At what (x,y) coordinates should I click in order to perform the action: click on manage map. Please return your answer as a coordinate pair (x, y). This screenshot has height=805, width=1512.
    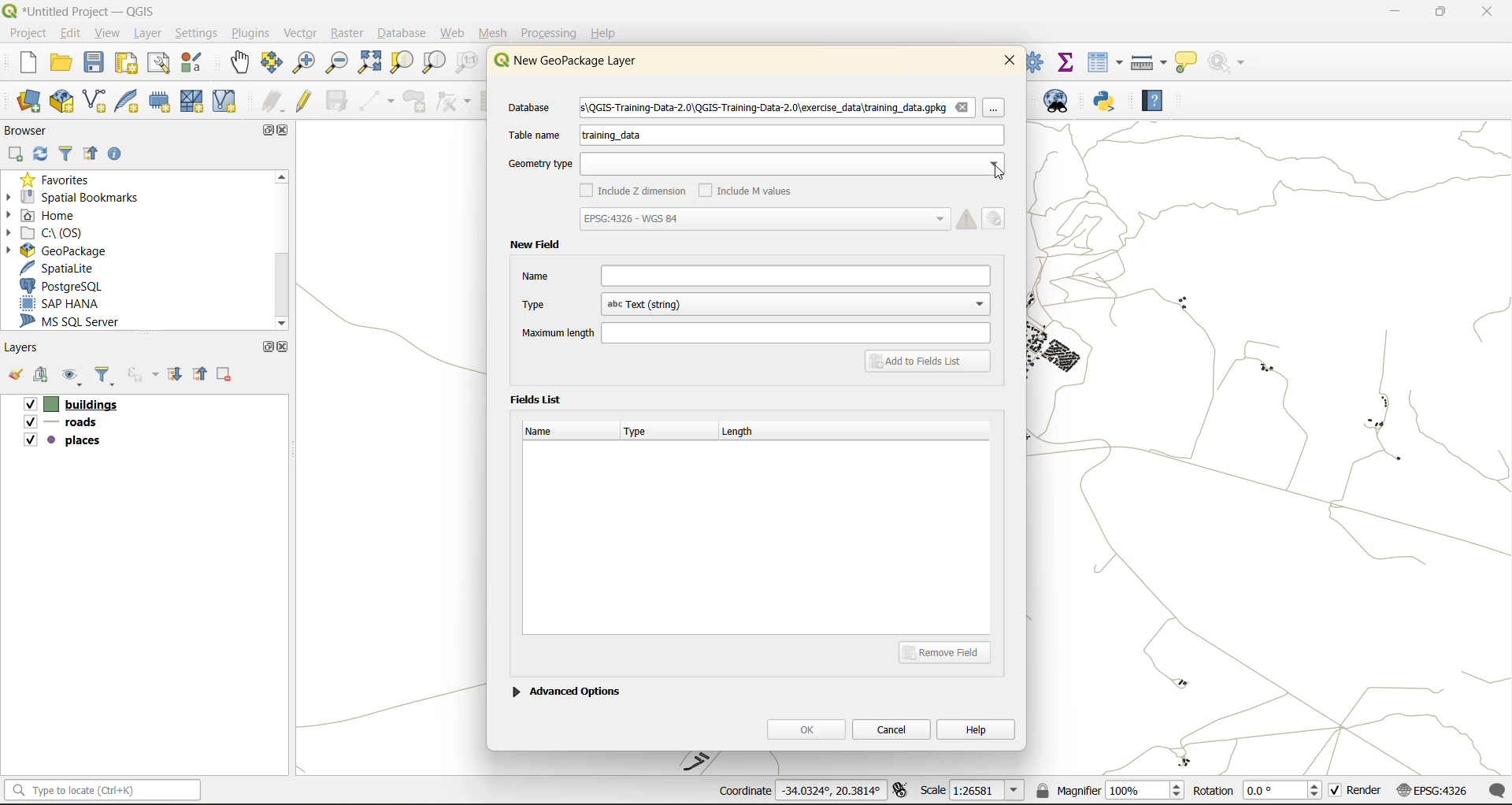
    Looking at the image, I should click on (74, 378).